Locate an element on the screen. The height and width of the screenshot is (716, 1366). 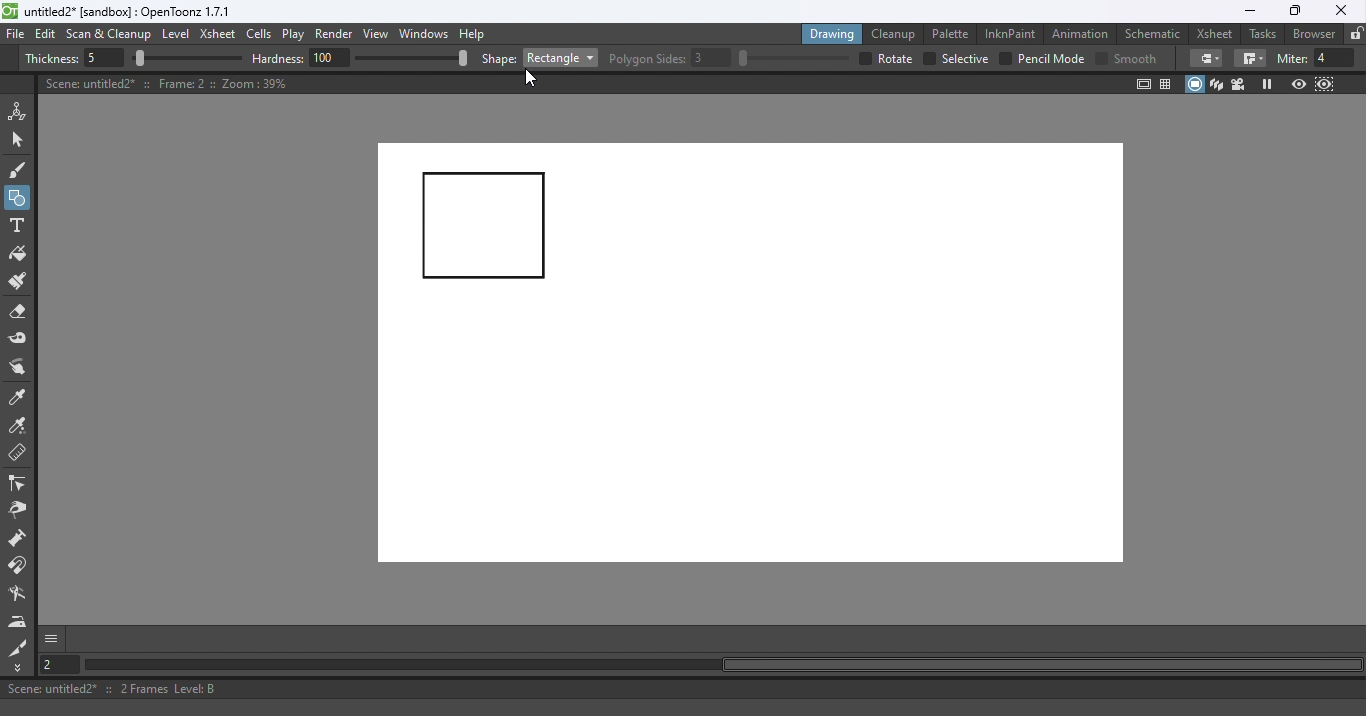
Freeze is located at coordinates (1267, 84).